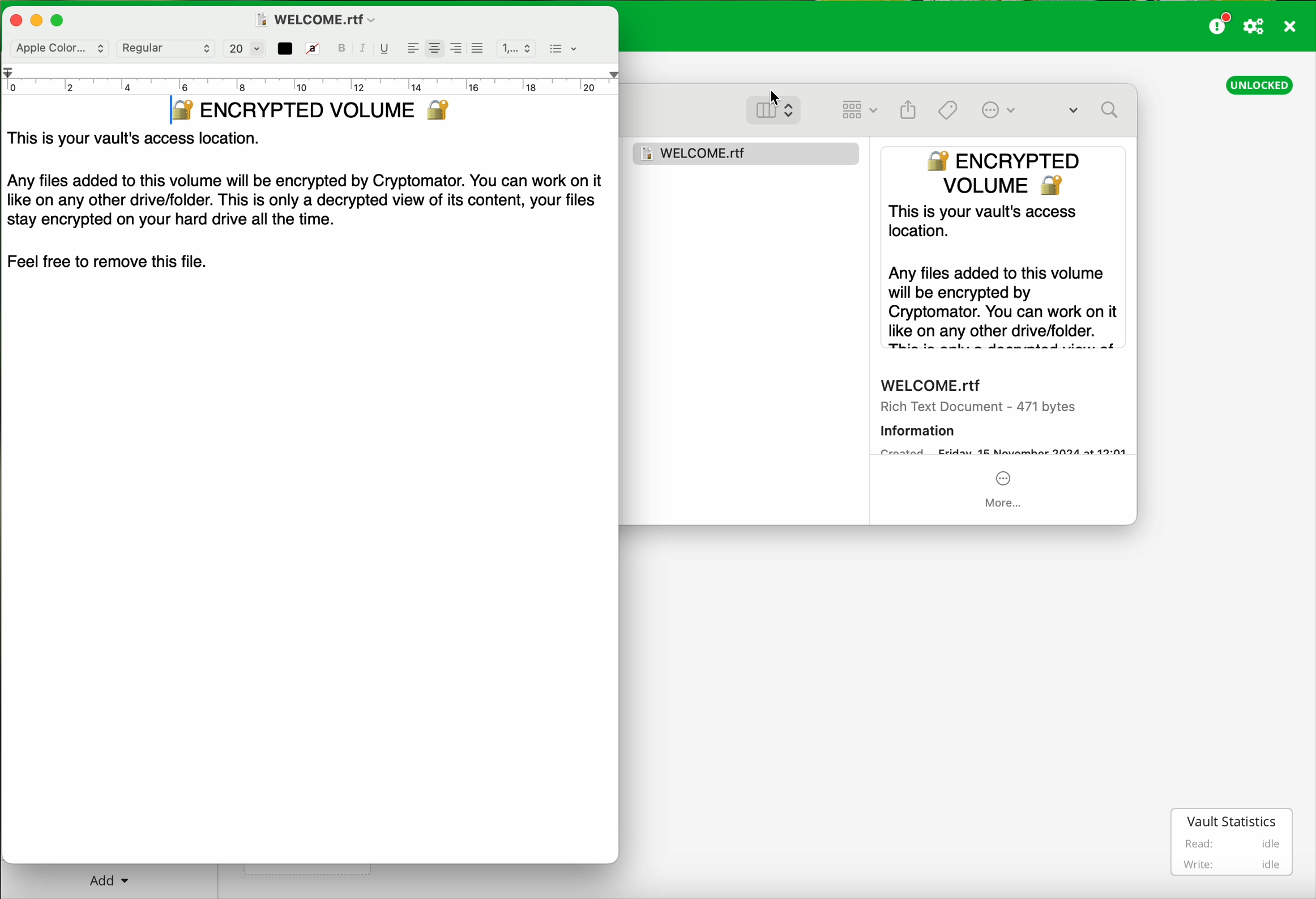 This screenshot has width=1316, height=899. Describe the element at coordinates (317, 18) in the screenshot. I see `welcome.rtf file ` at that location.